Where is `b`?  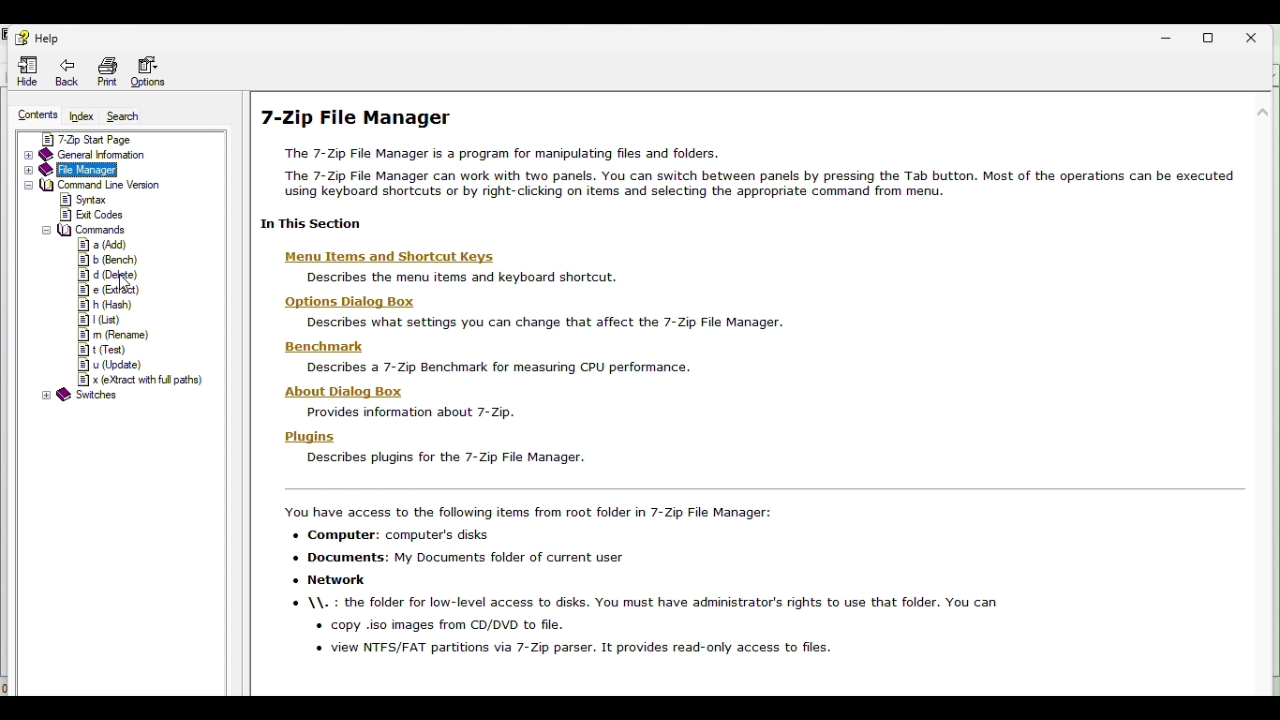
b is located at coordinates (108, 261).